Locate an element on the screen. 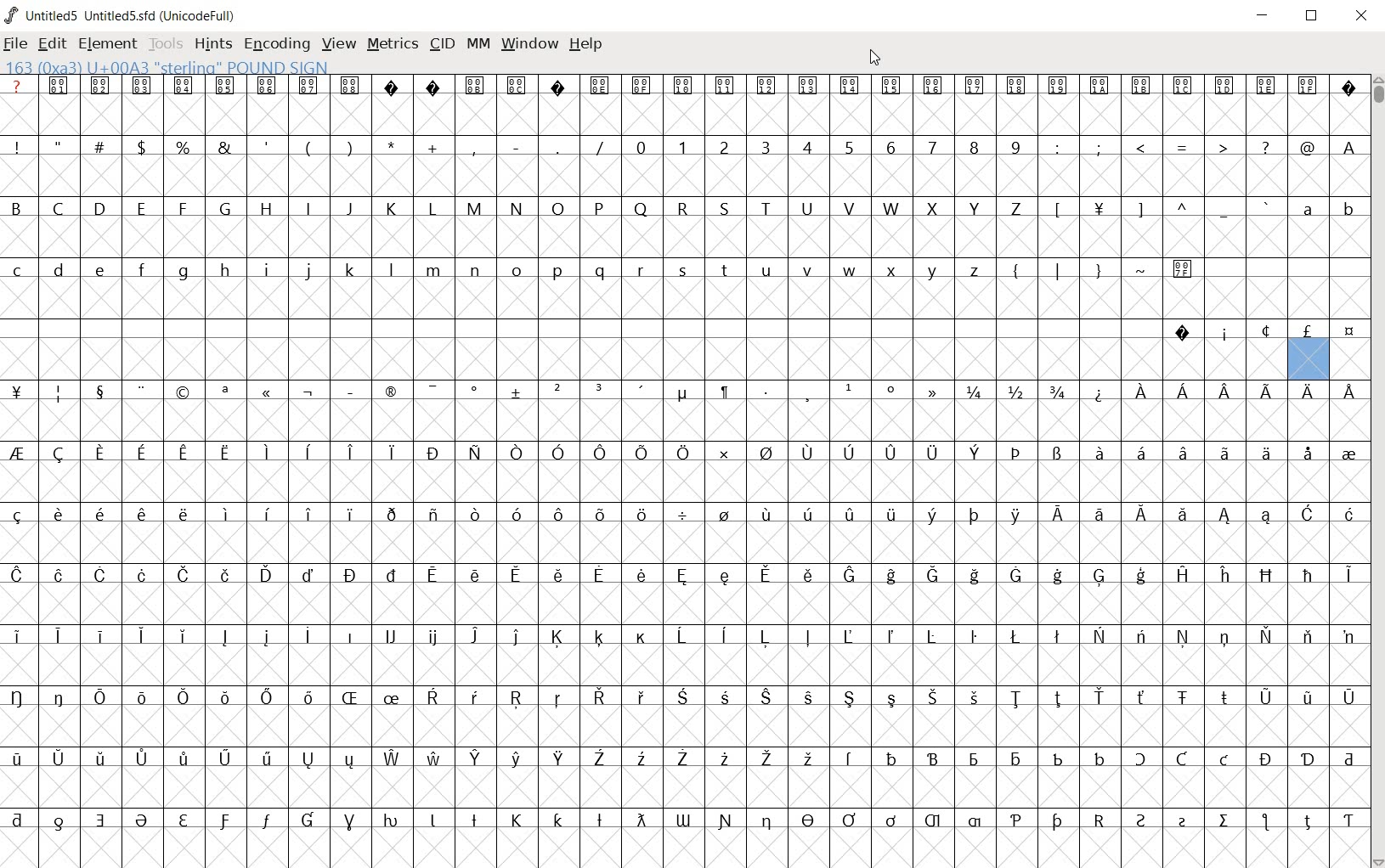  Symbol is located at coordinates (726, 85).